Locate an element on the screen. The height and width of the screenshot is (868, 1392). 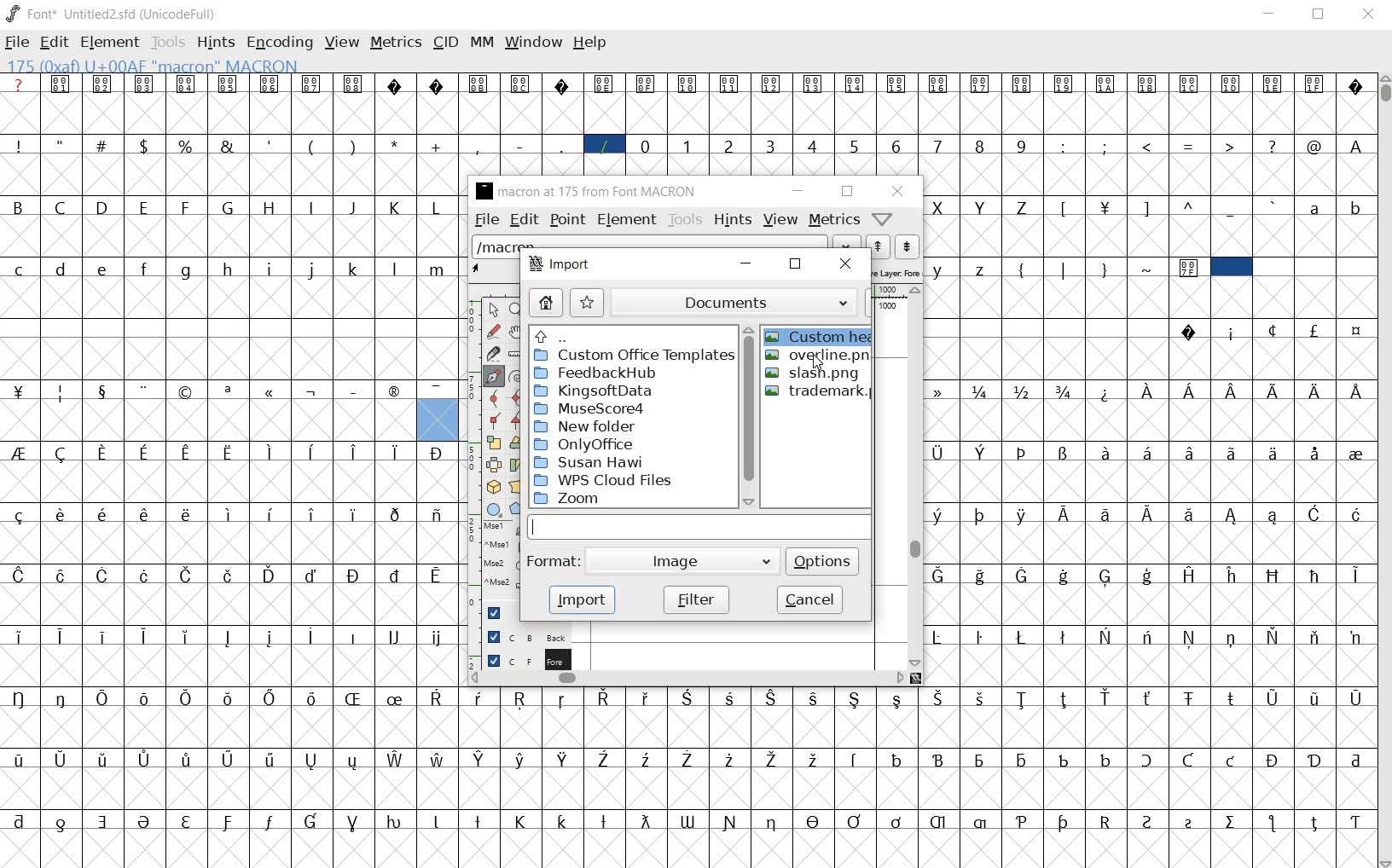
" is located at coordinates (62, 146).